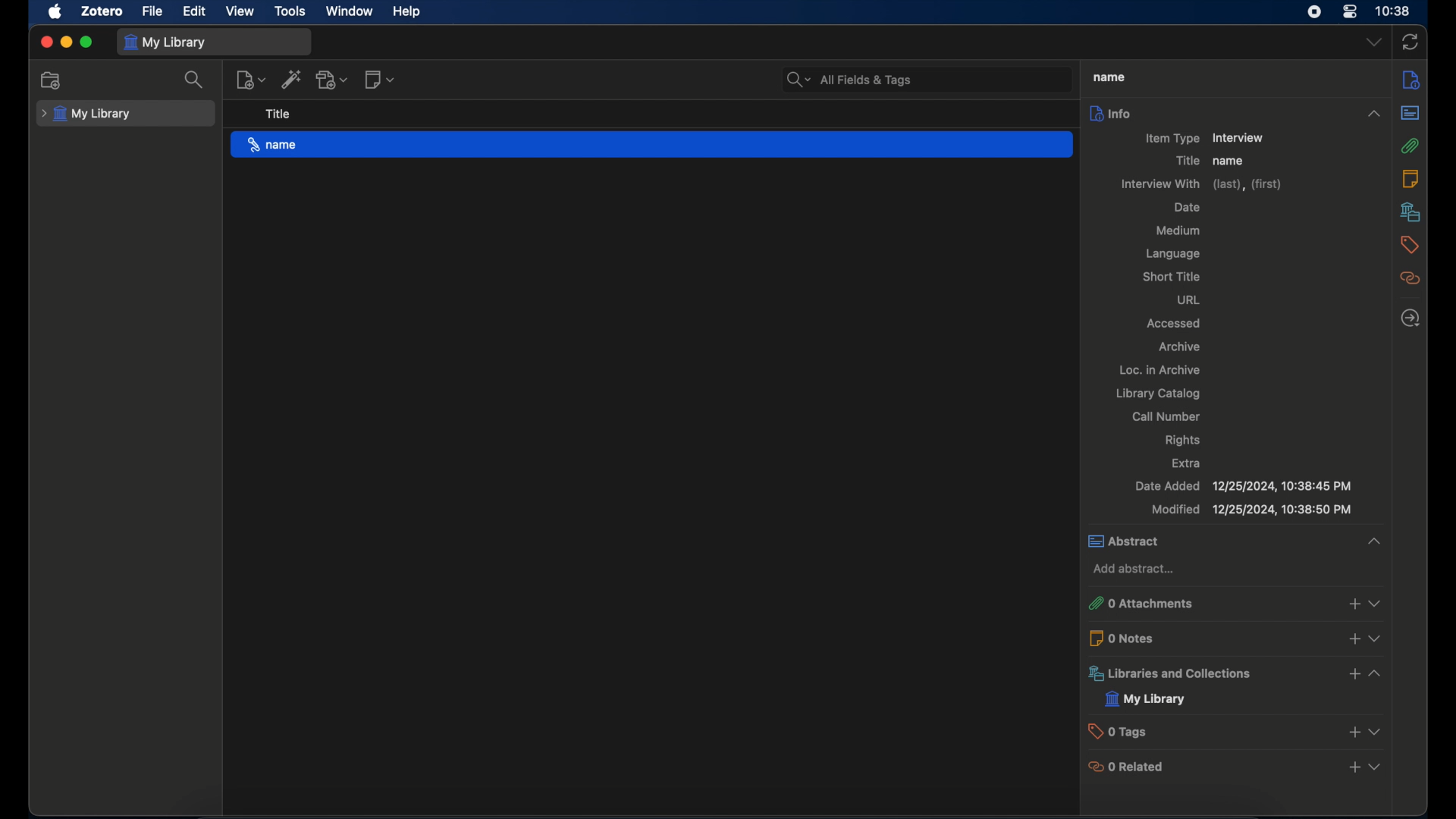 This screenshot has width=1456, height=819. What do you see at coordinates (65, 42) in the screenshot?
I see `minimize` at bounding box center [65, 42].